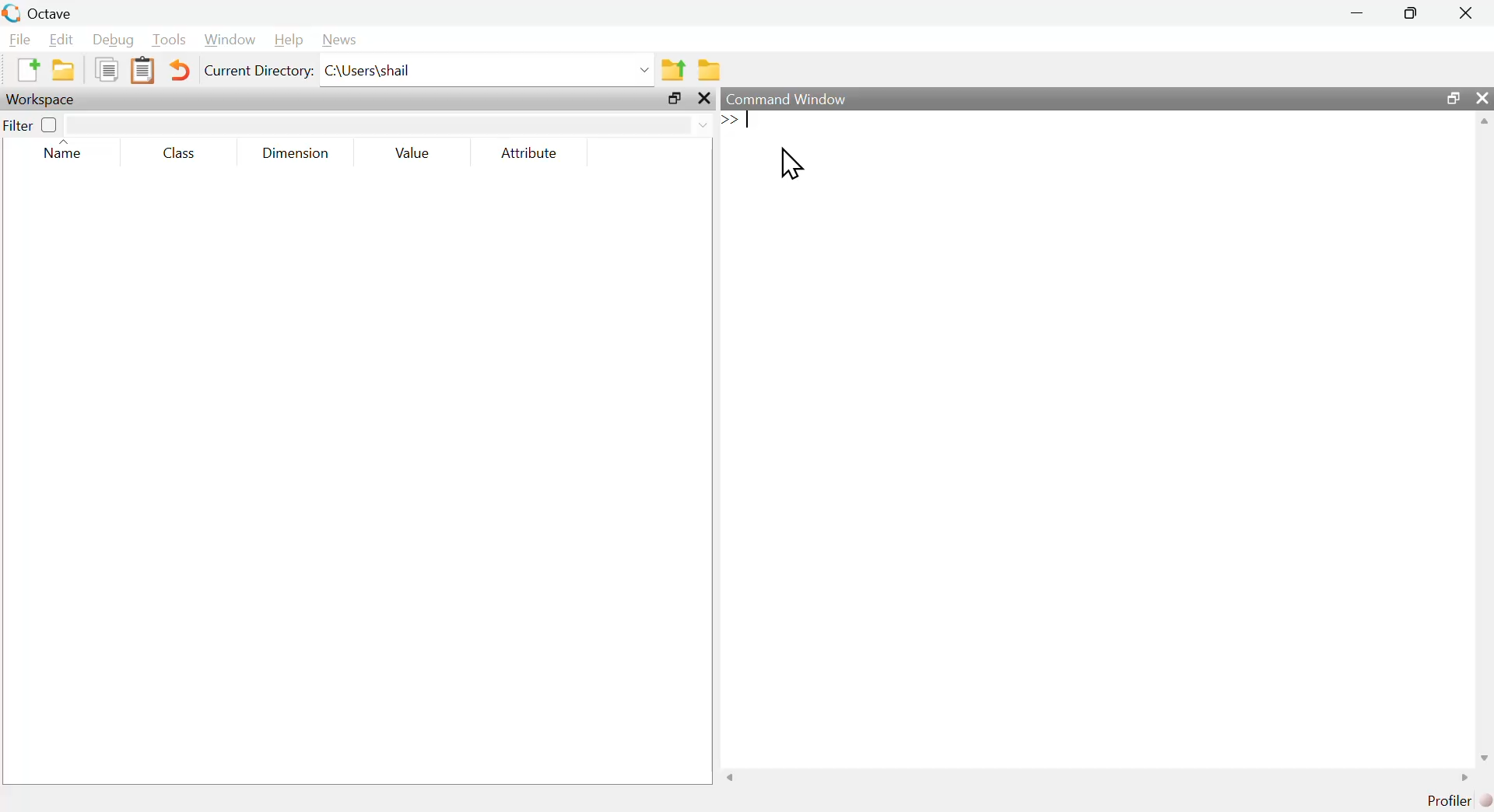 Image resolution: width=1494 pixels, height=812 pixels. What do you see at coordinates (789, 98) in the screenshot?
I see `Command Window` at bounding box center [789, 98].